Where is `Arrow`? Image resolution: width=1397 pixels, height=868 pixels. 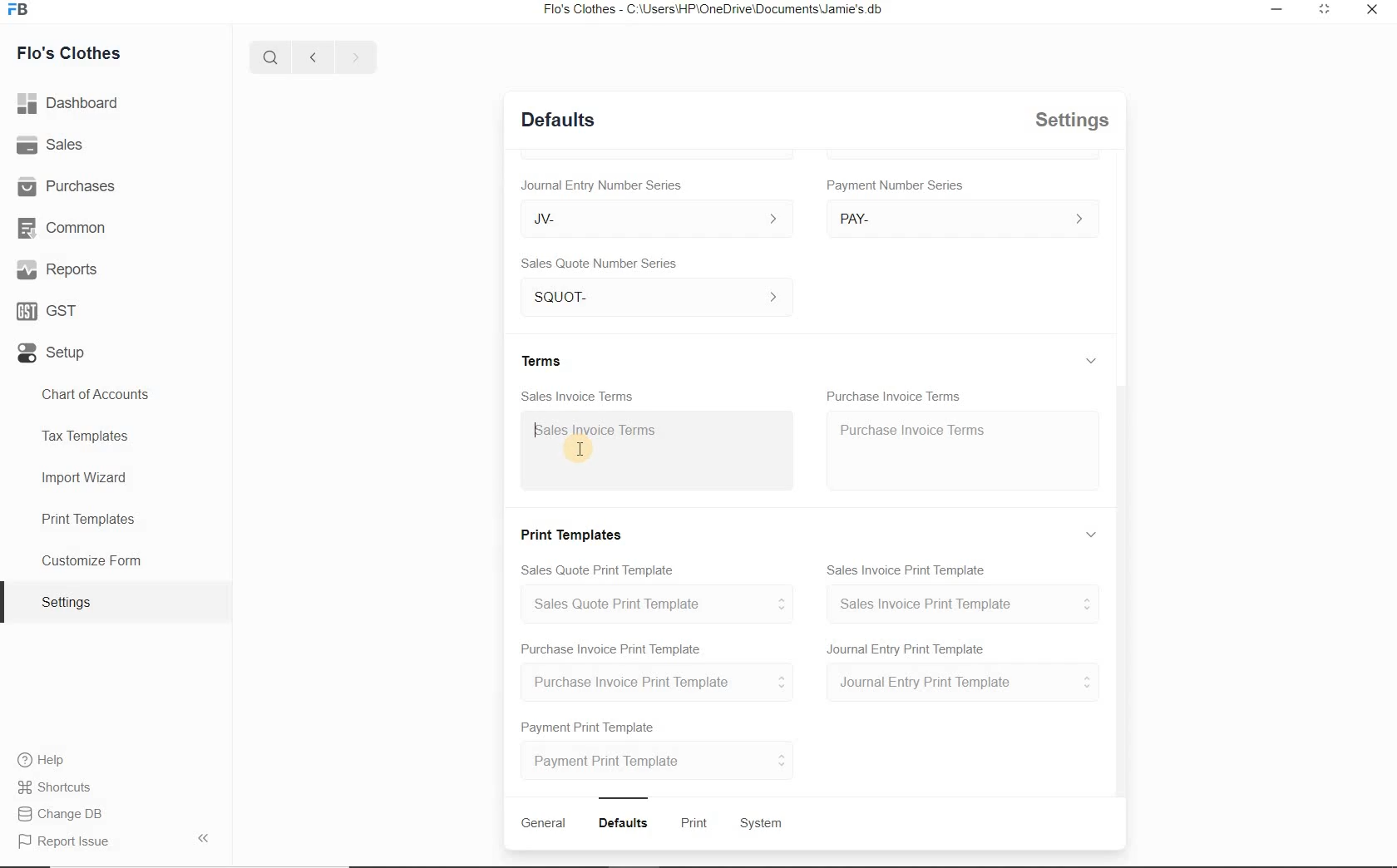 Arrow is located at coordinates (207, 836).